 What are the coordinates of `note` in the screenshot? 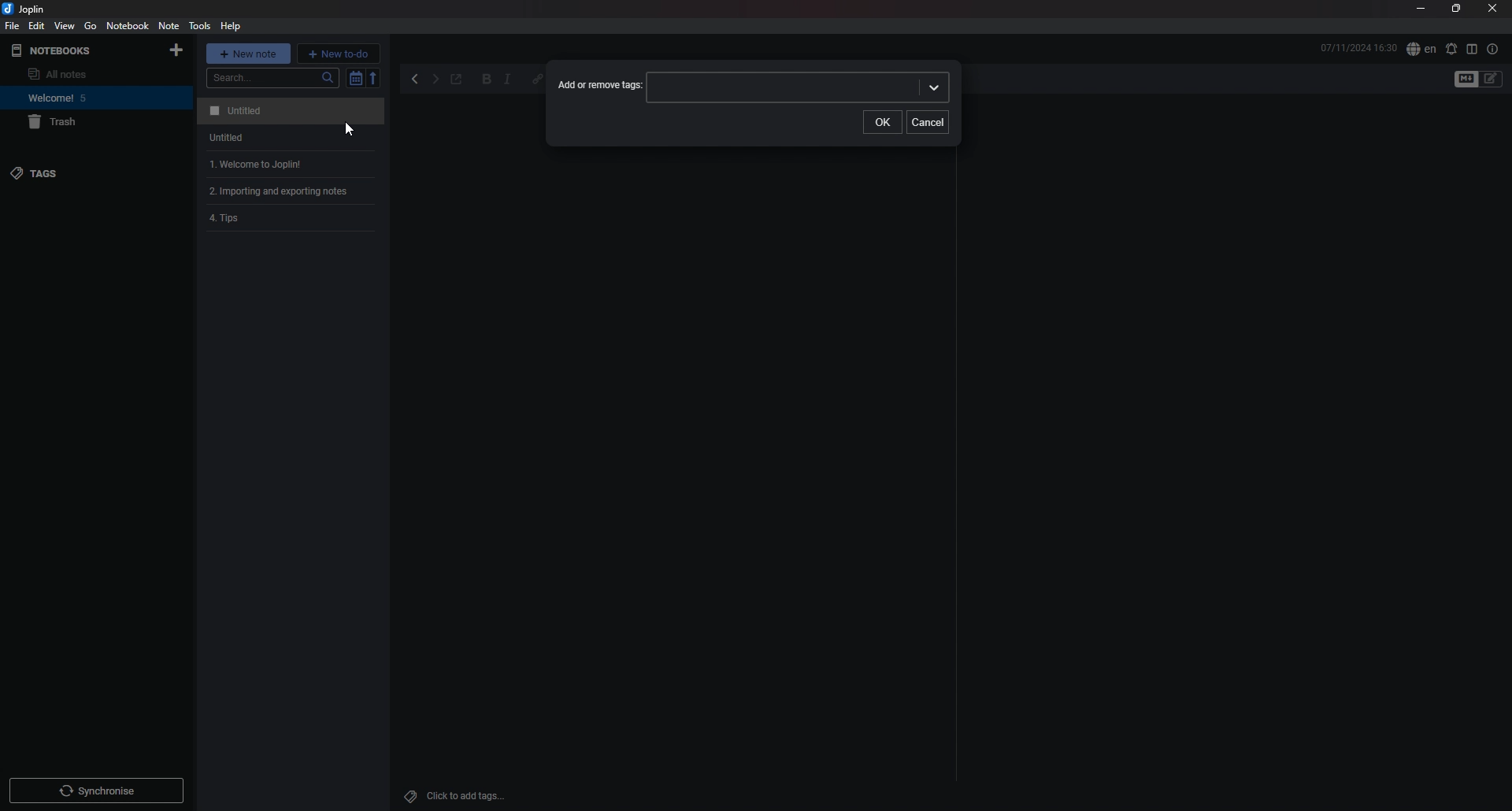 It's located at (293, 220).